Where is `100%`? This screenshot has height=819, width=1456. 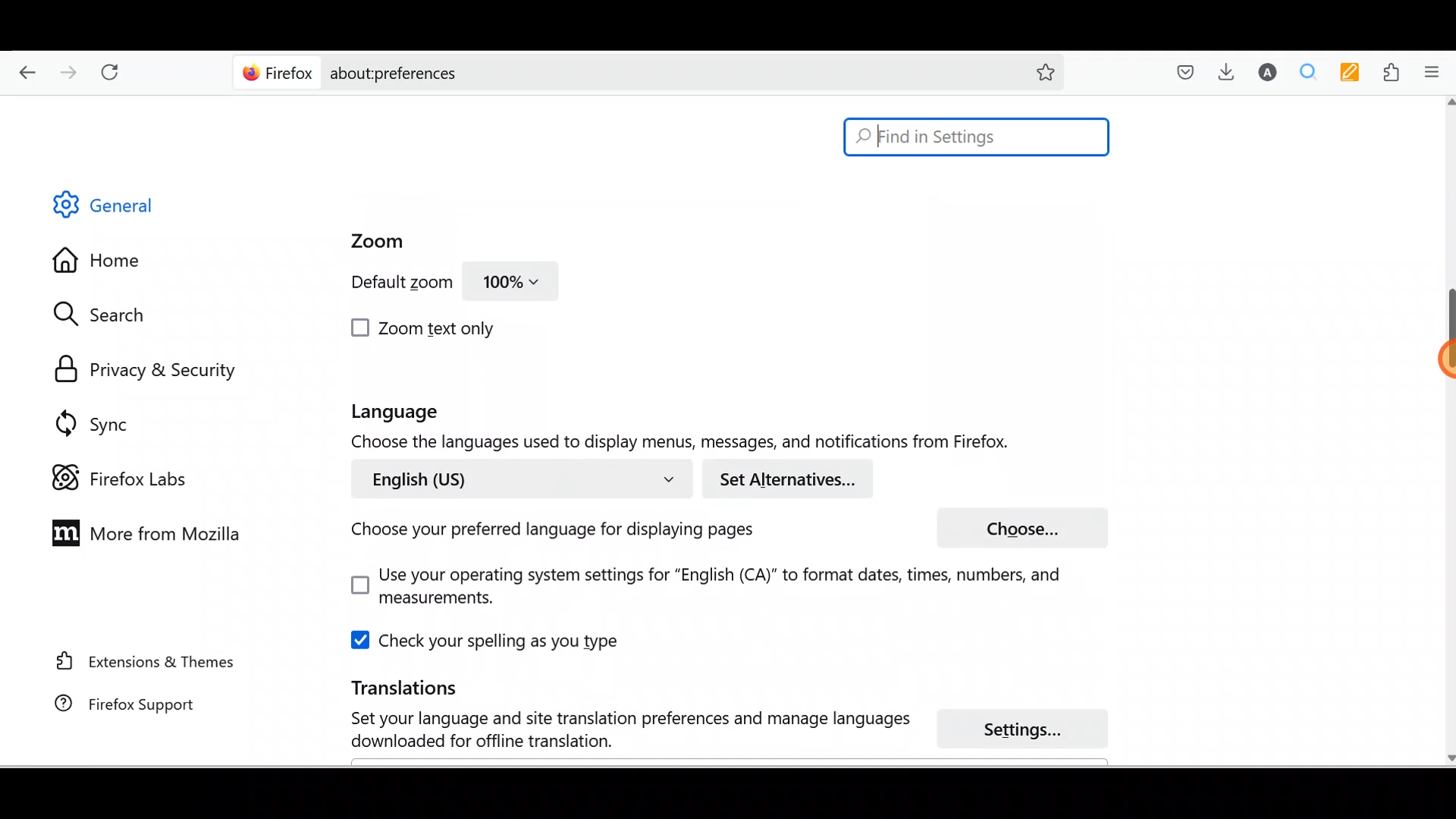 100% is located at coordinates (512, 285).